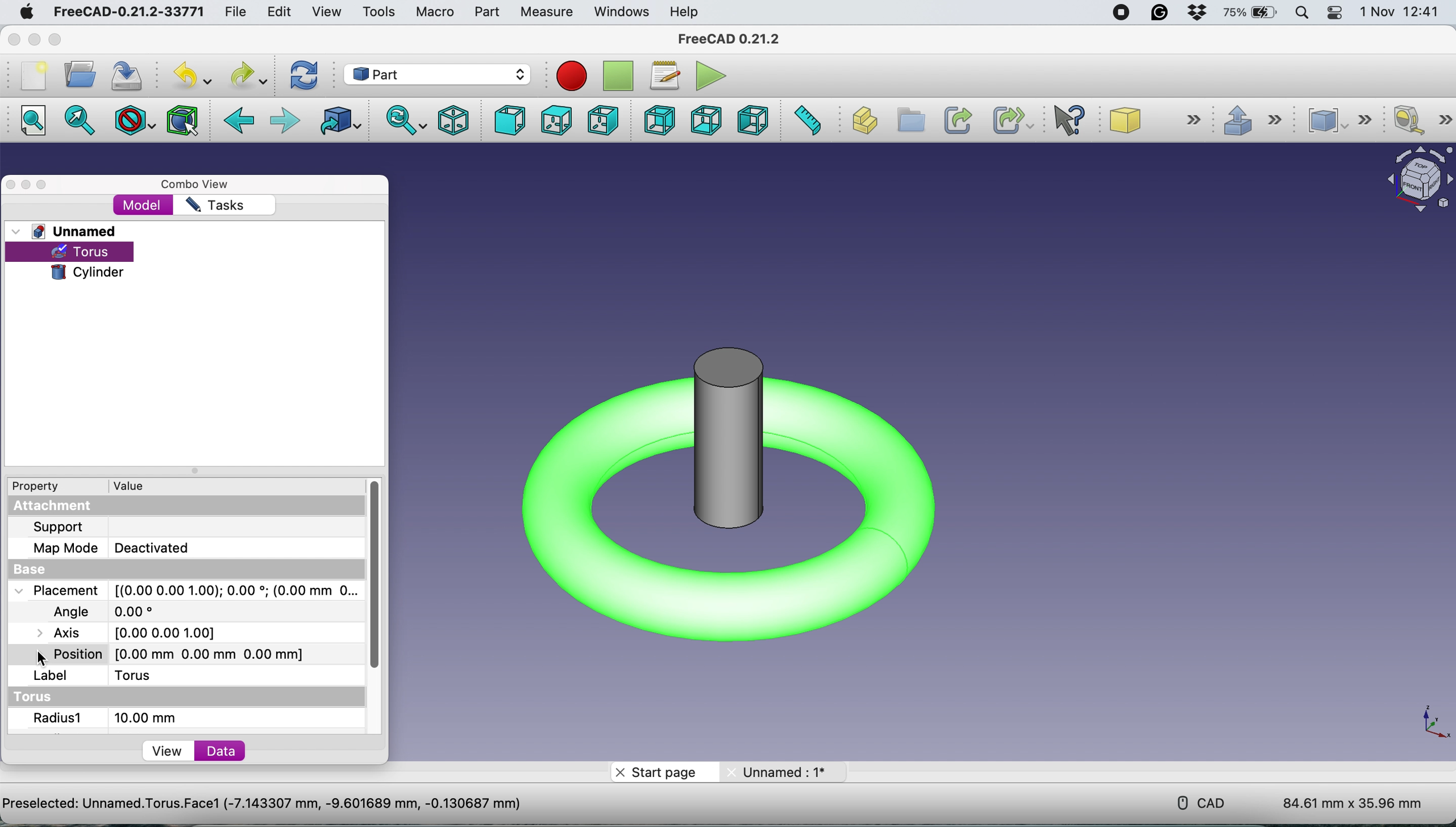 This screenshot has height=827, width=1456. I want to click on part, so click(484, 13).